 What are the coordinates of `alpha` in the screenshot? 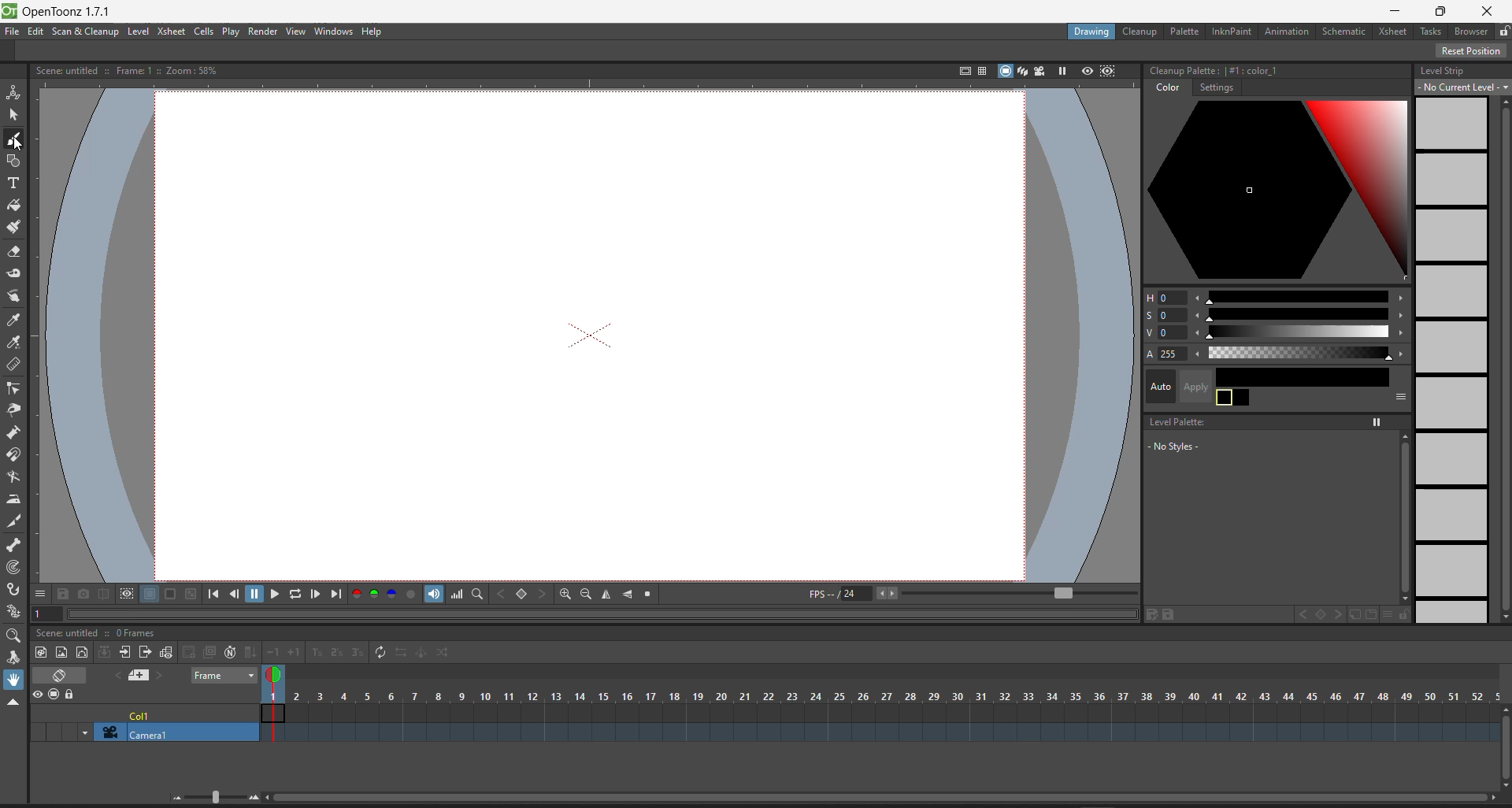 It's located at (1164, 354).